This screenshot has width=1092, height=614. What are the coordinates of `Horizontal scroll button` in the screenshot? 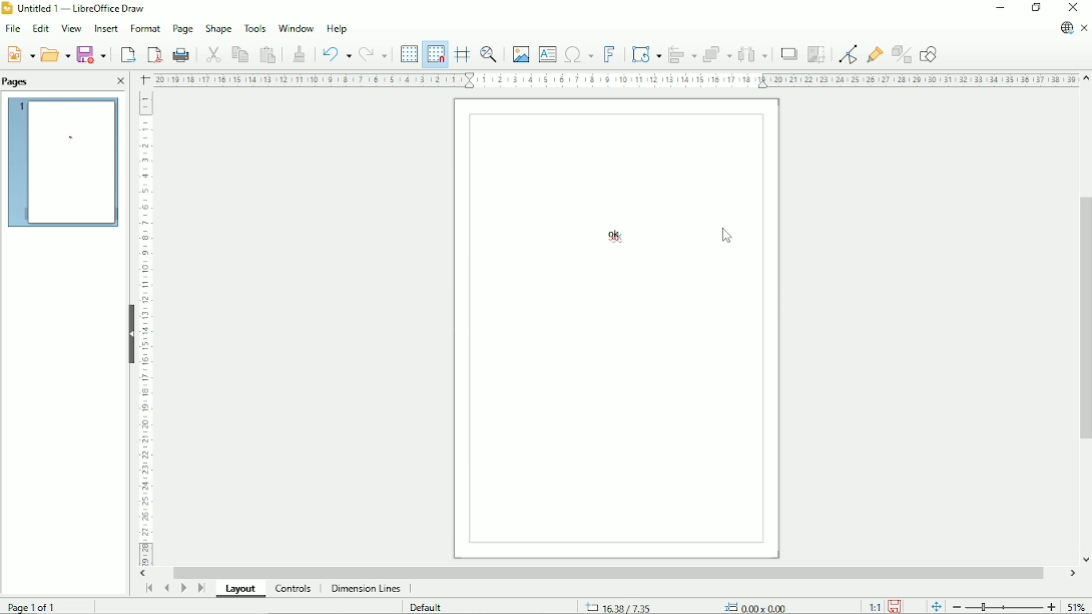 It's located at (1071, 573).